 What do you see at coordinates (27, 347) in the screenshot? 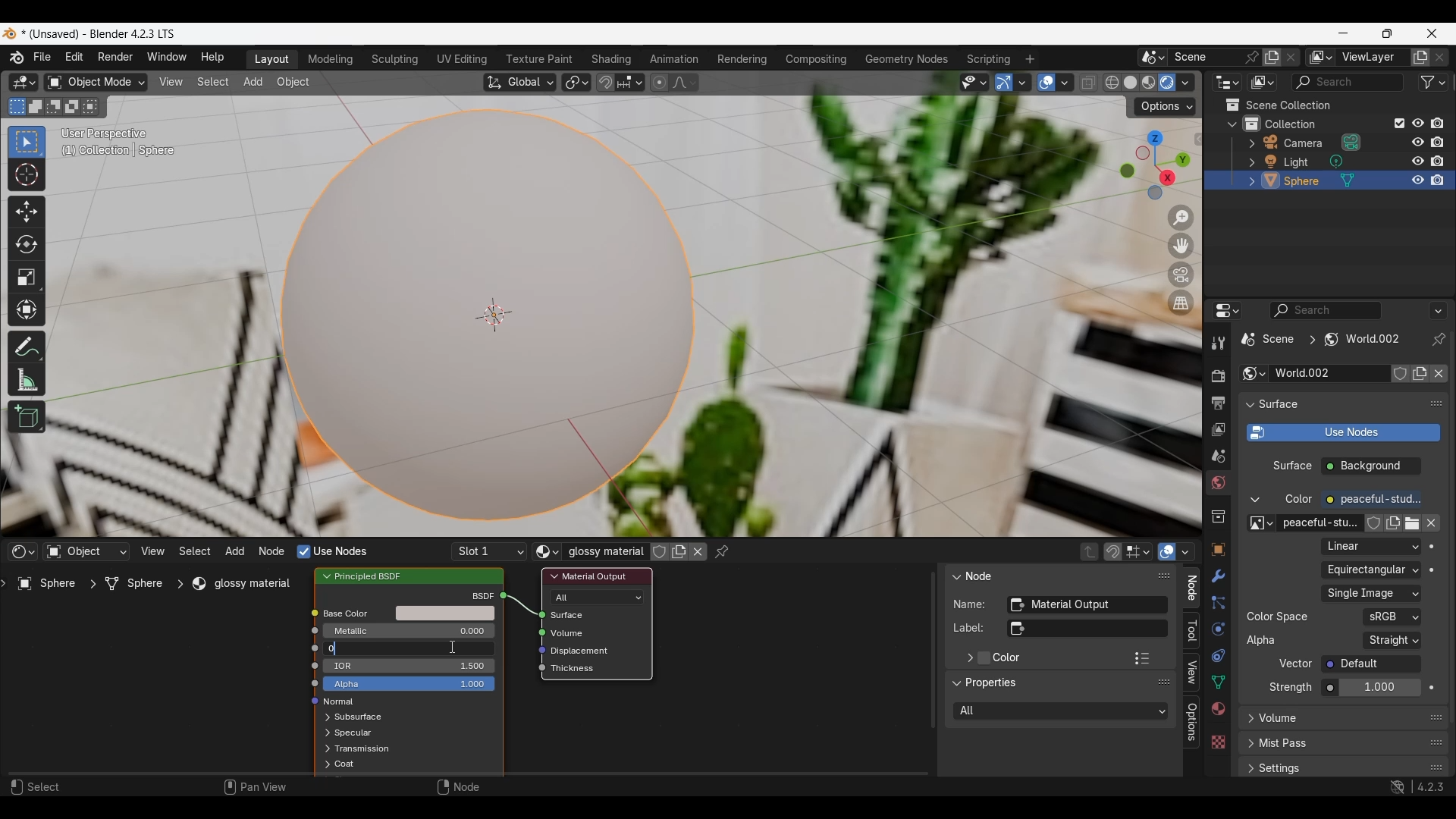
I see `Annotate` at bounding box center [27, 347].